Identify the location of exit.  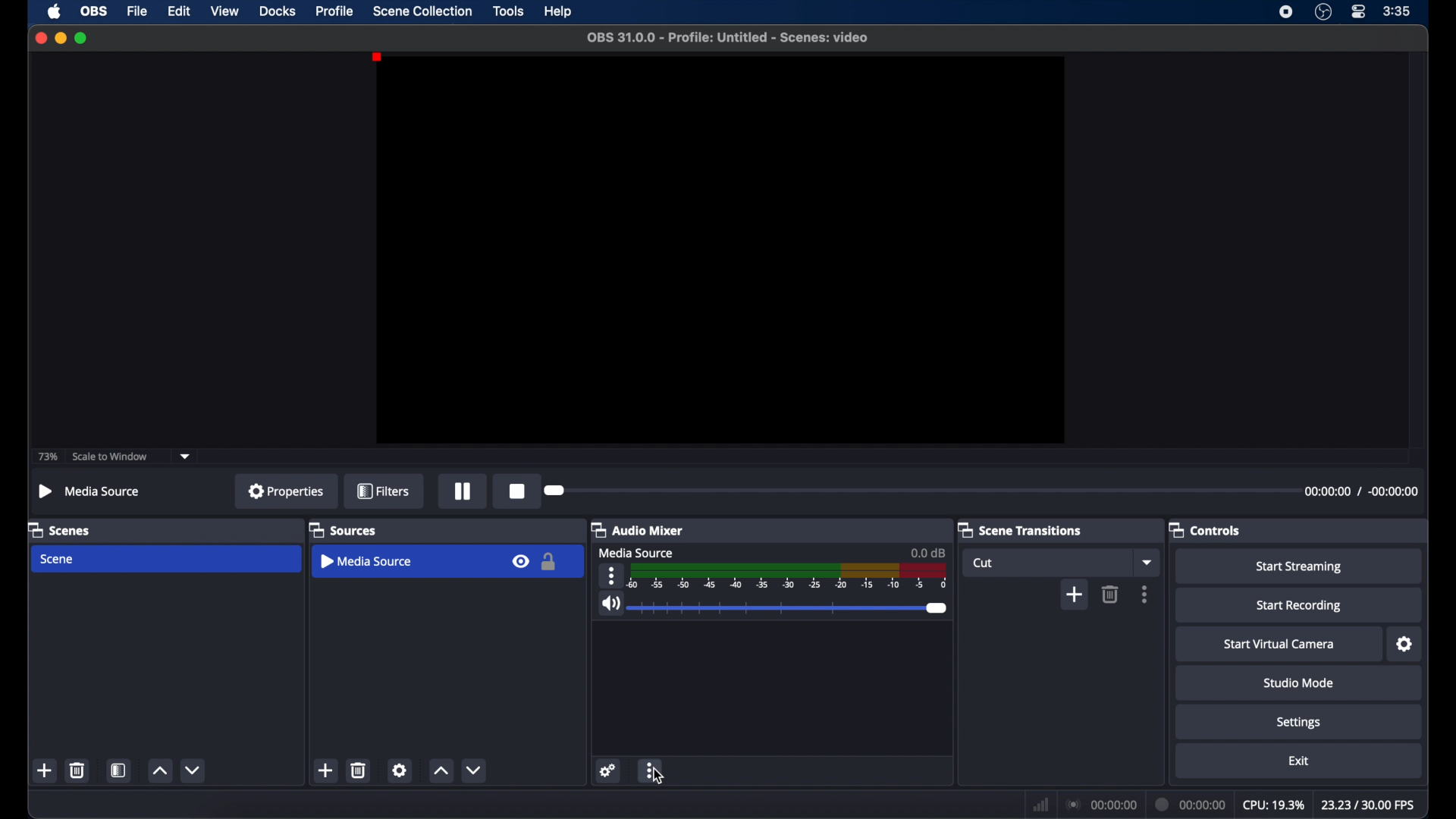
(1298, 760).